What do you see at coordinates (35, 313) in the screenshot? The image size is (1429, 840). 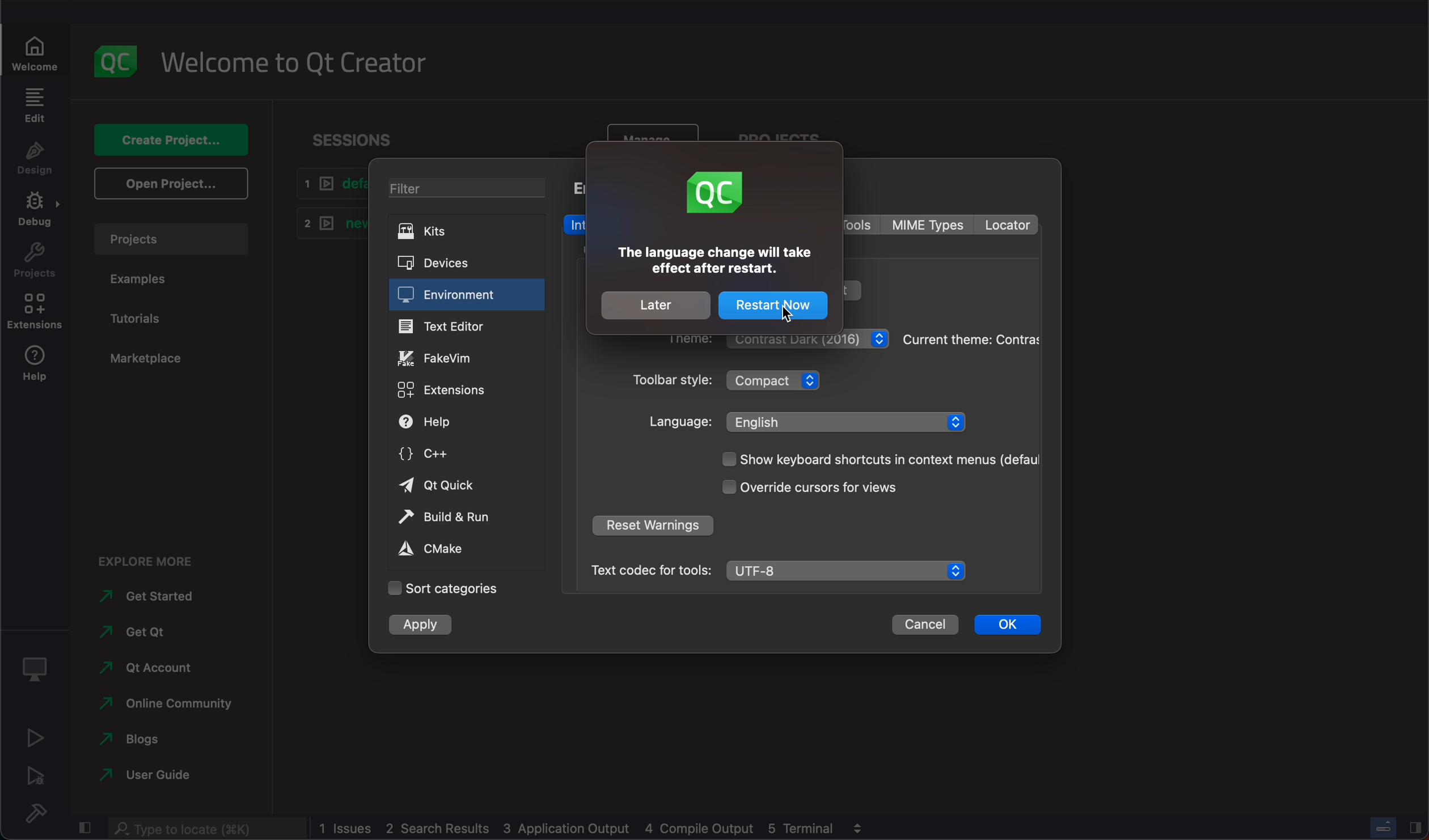 I see `extensions` at bounding box center [35, 313].